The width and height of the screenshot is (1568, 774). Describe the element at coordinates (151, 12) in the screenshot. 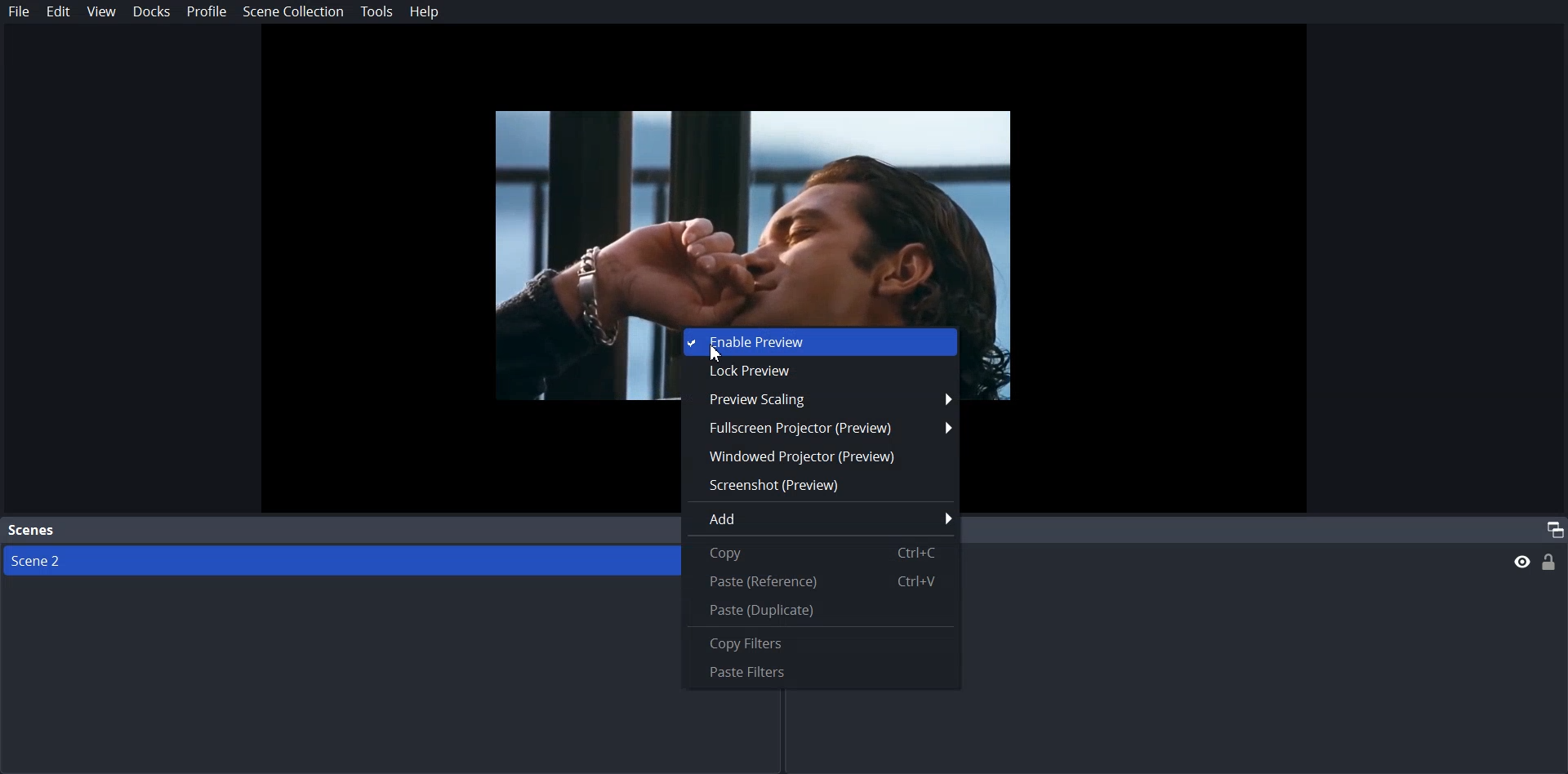

I see `Docks` at that location.